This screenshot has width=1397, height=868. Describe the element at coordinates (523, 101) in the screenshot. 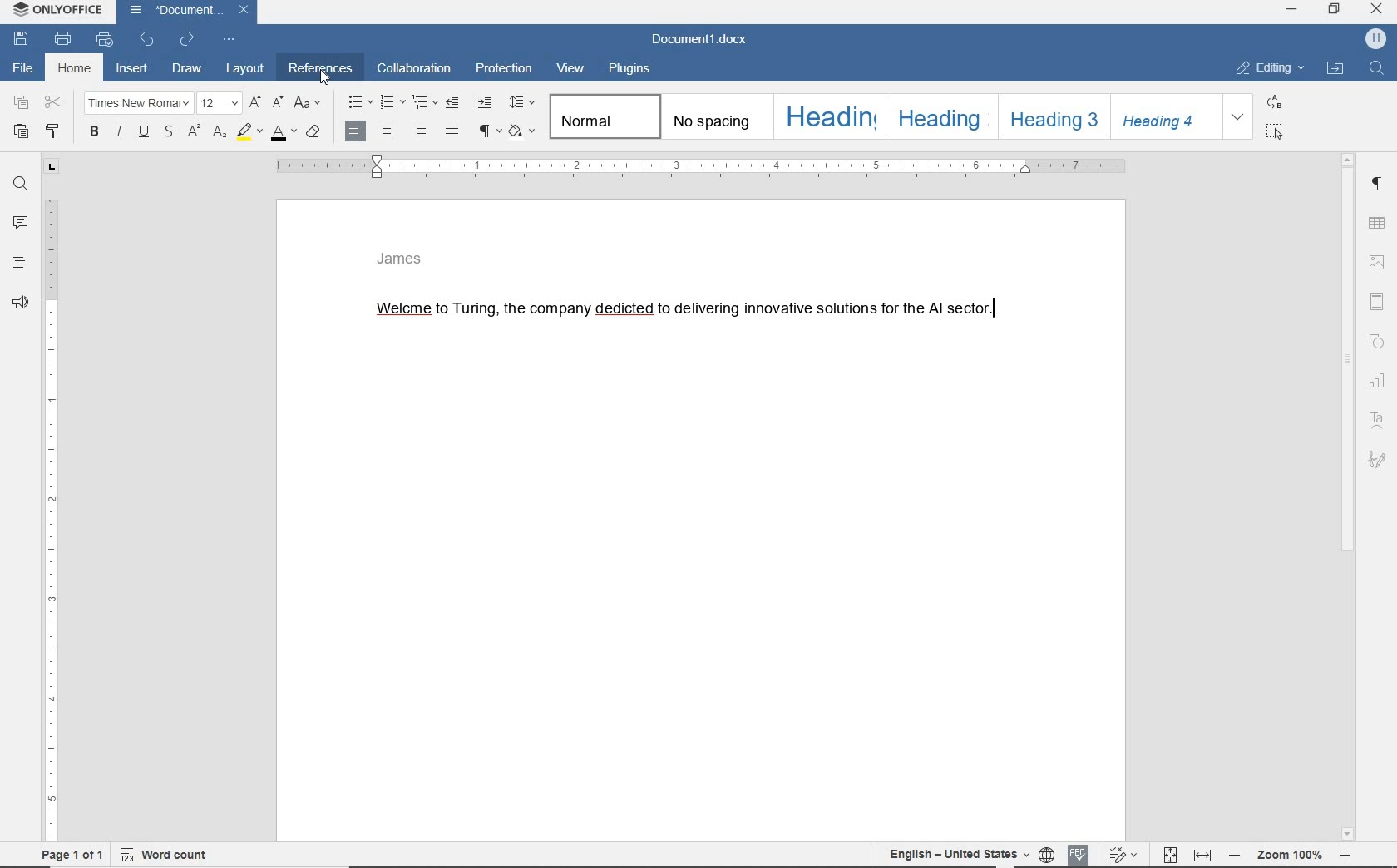

I see `paragraph line spacing` at that location.